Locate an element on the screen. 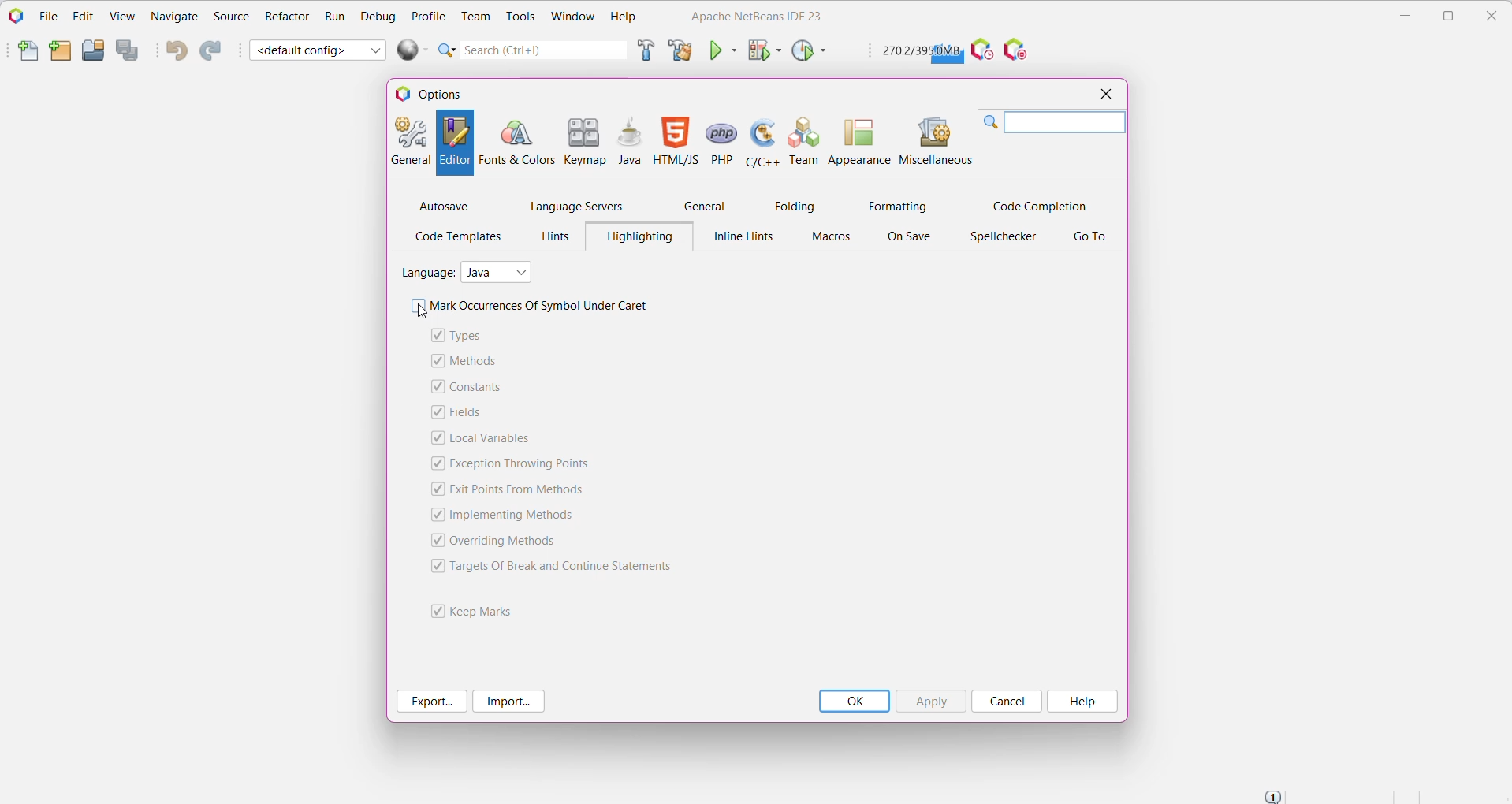  Open Project is located at coordinates (93, 50).